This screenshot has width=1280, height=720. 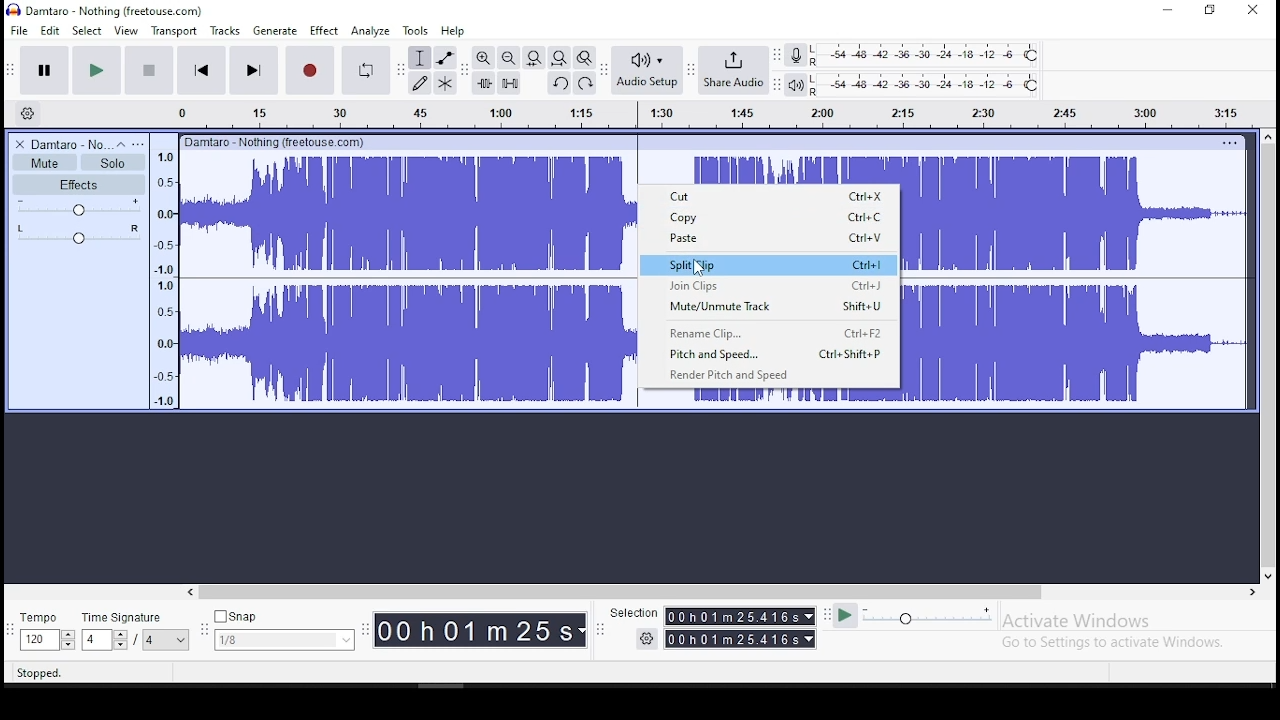 What do you see at coordinates (285, 640) in the screenshot?
I see `menu` at bounding box center [285, 640].